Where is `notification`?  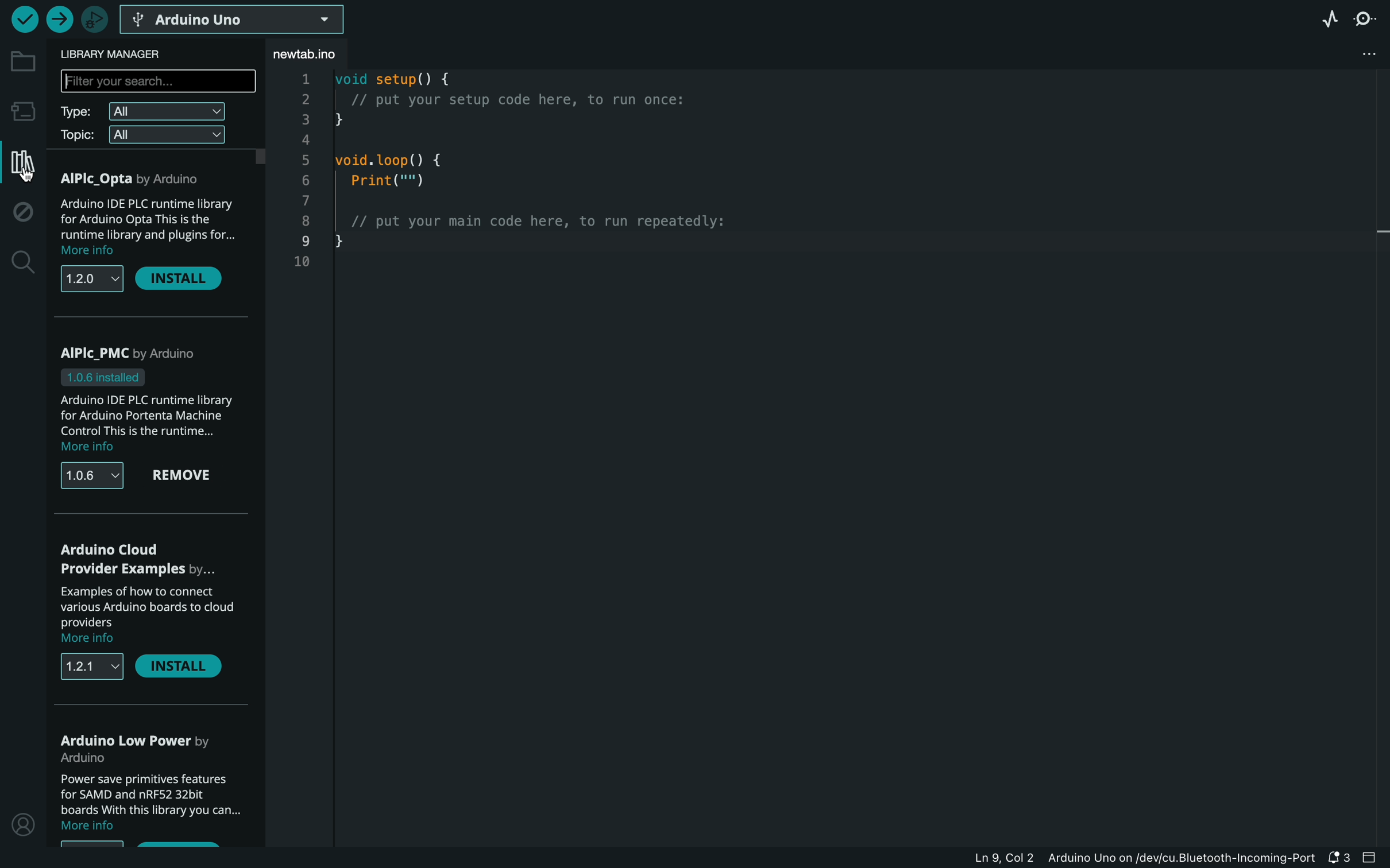
notification is located at coordinates (1341, 858).